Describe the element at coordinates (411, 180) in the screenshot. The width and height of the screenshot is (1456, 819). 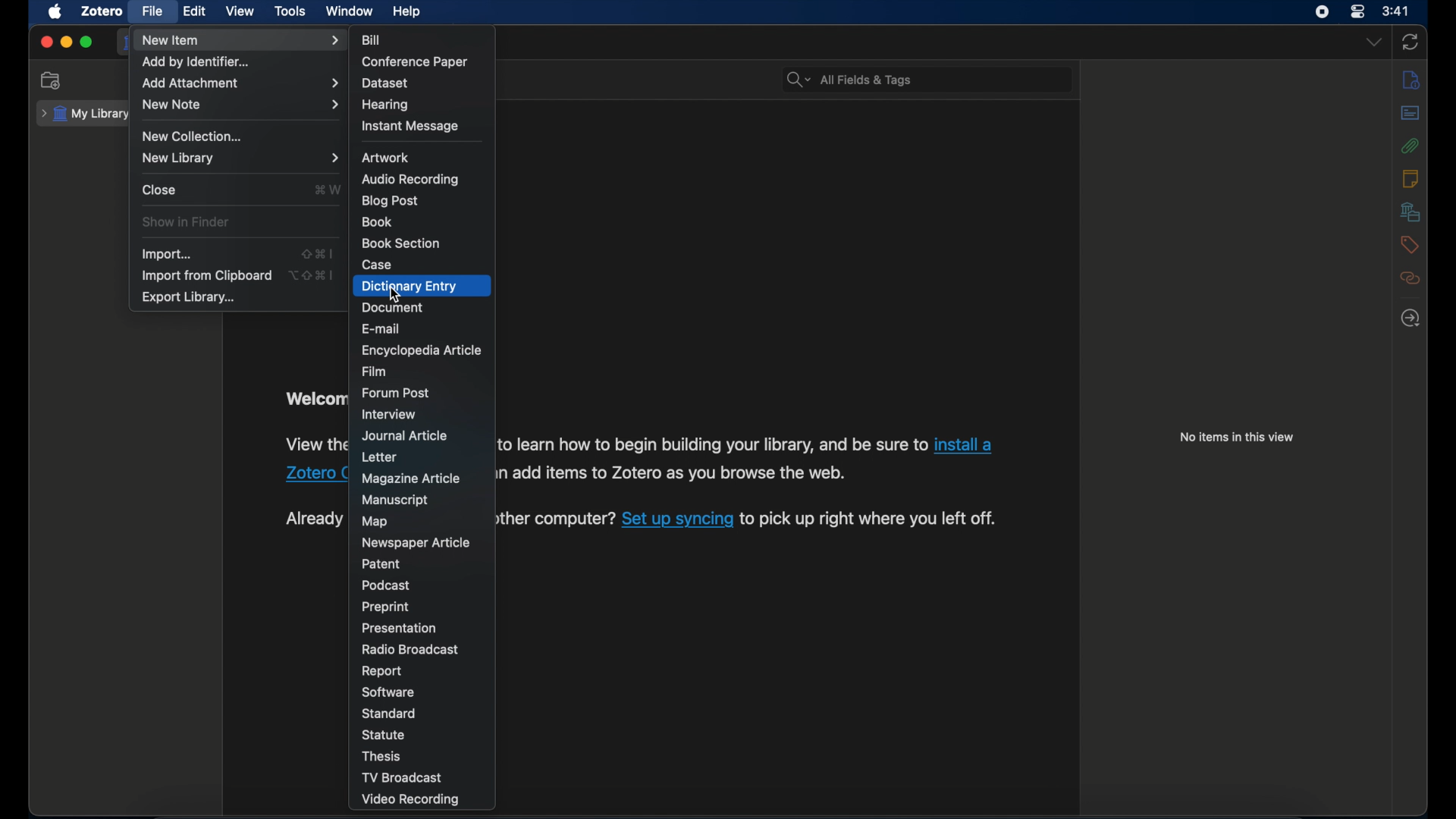
I see `audio recording` at that location.